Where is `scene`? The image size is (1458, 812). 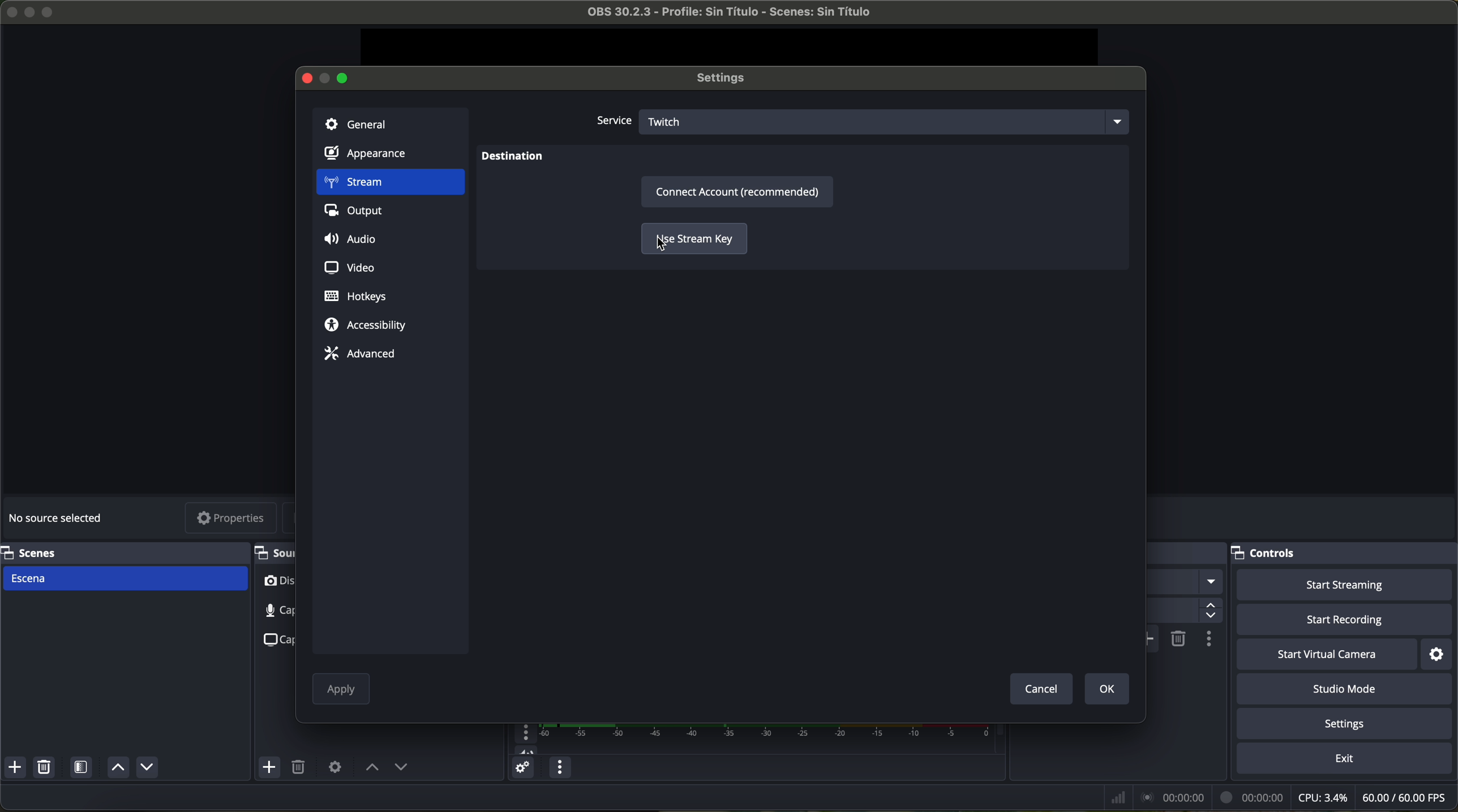 scene is located at coordinates (126, 578).